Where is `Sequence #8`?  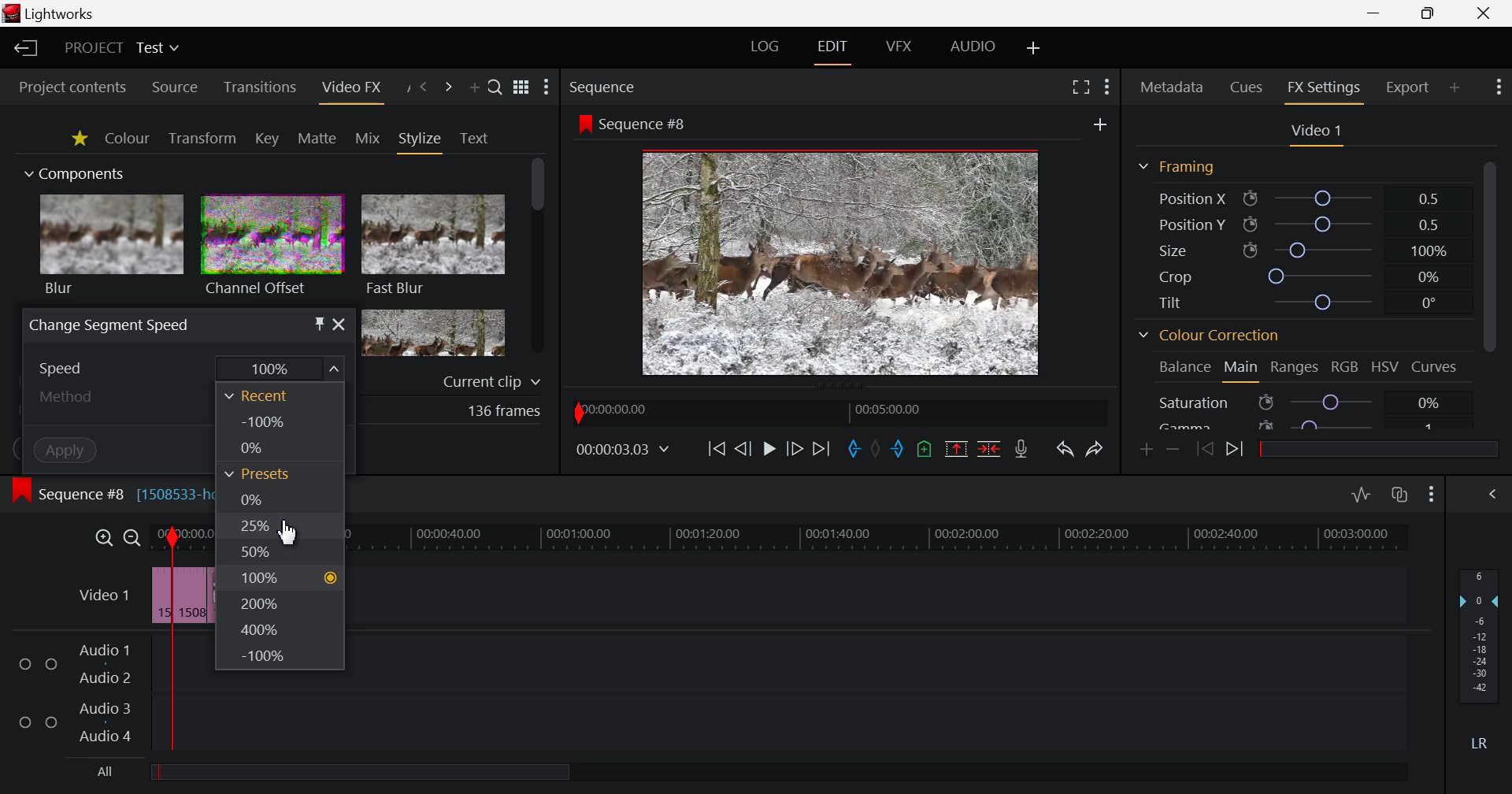
Sequence #8 is located at coordinates (634, 123).